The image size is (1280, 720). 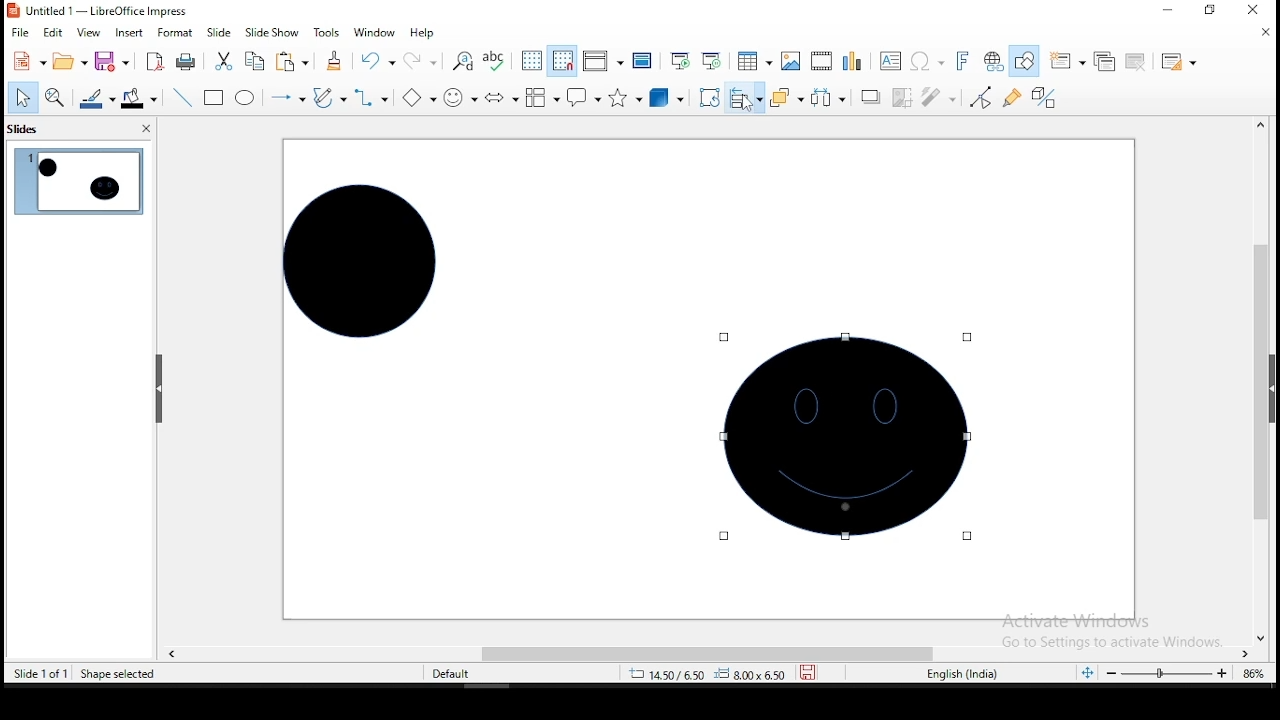 I want to click on minimize, so click(x=1168, y=10).